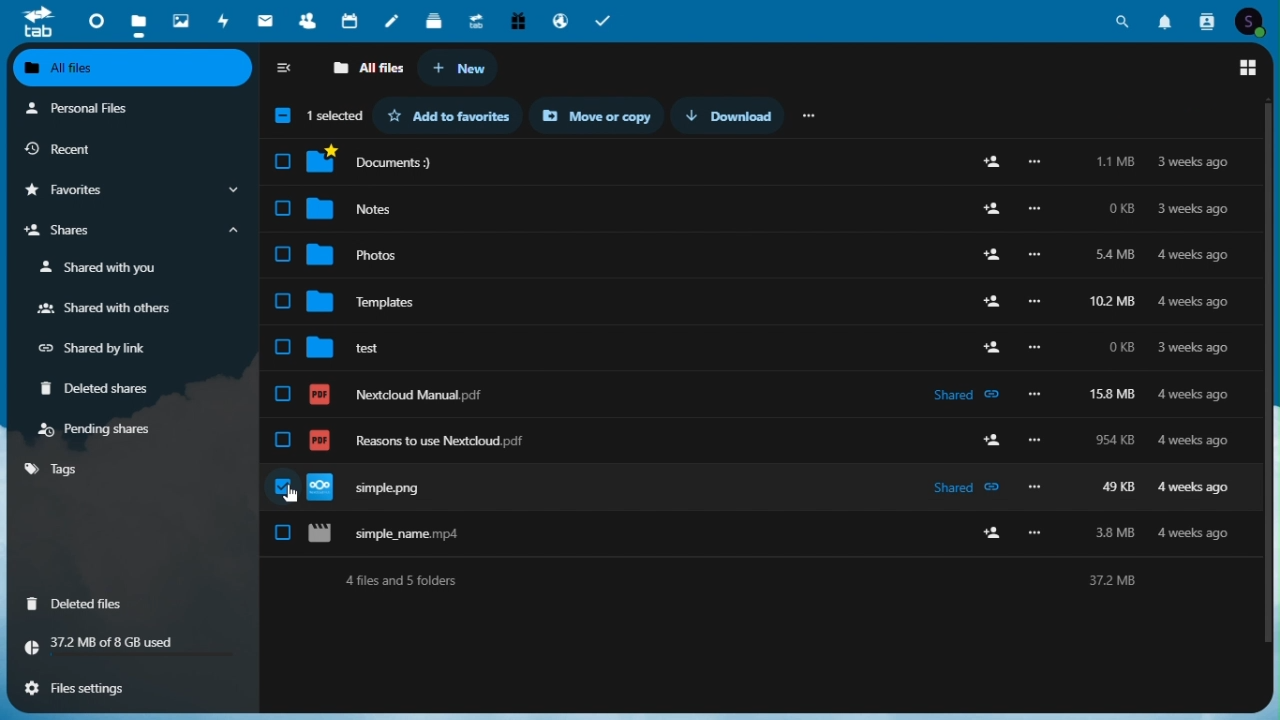 Image resolution: width=1280 pixels, height=720 pixels. What do you see at coordinates (760, 339) in the screenshot?
I see `Test 0KB  3weeks ago` at bounding box center [760, 339].